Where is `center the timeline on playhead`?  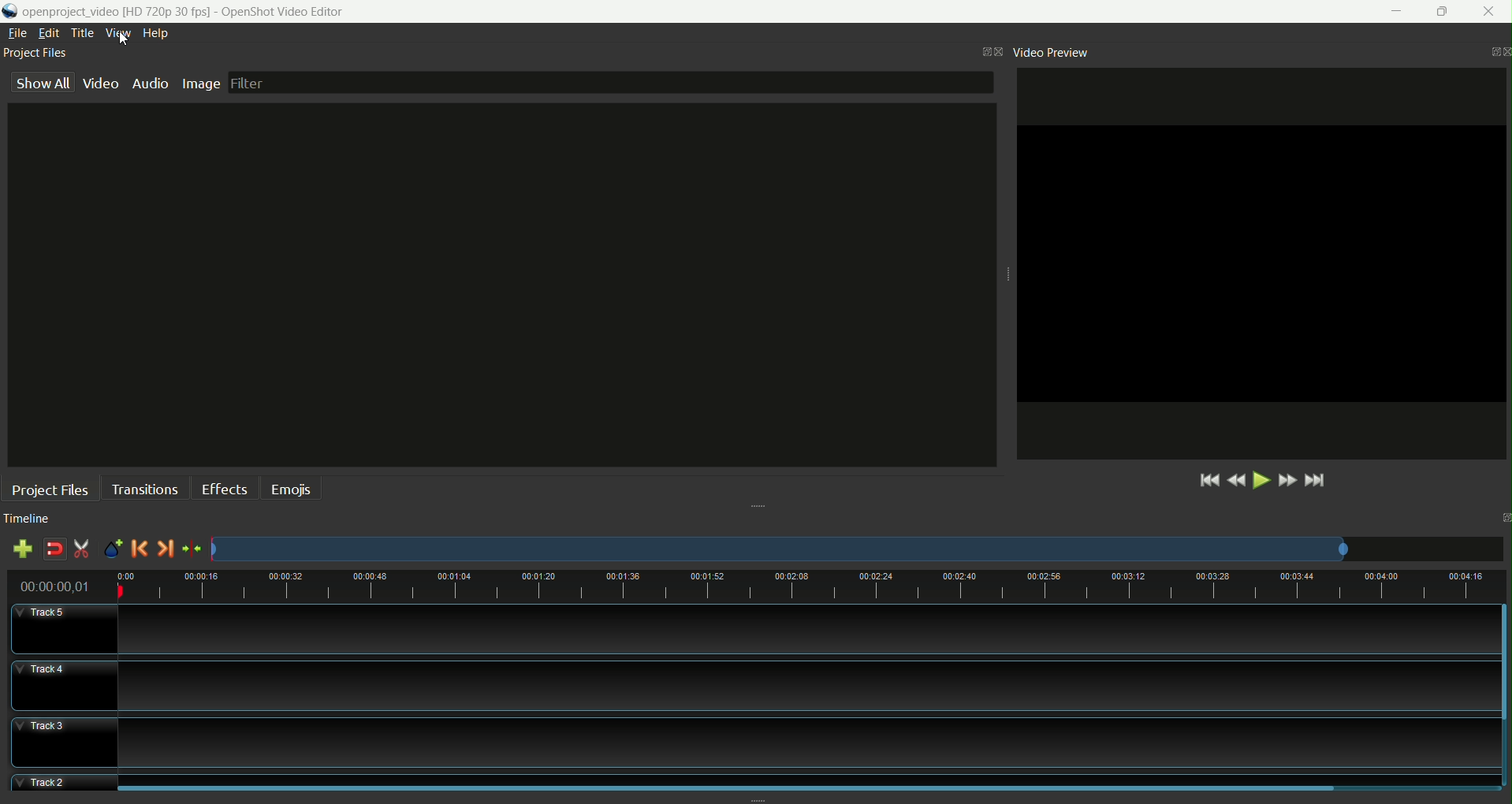
center the timeline on playhead is located at coordinates (194, 549).